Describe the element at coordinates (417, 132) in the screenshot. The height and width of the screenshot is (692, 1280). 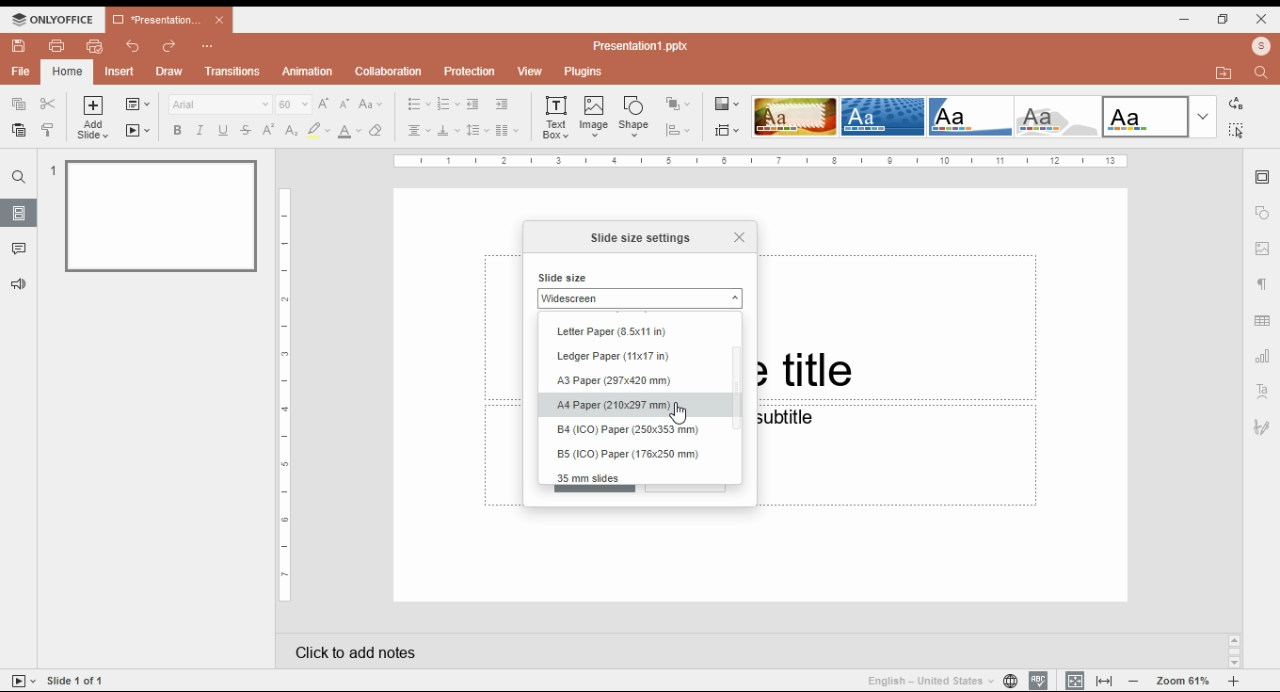
I see `horizontal alignment` at that location.